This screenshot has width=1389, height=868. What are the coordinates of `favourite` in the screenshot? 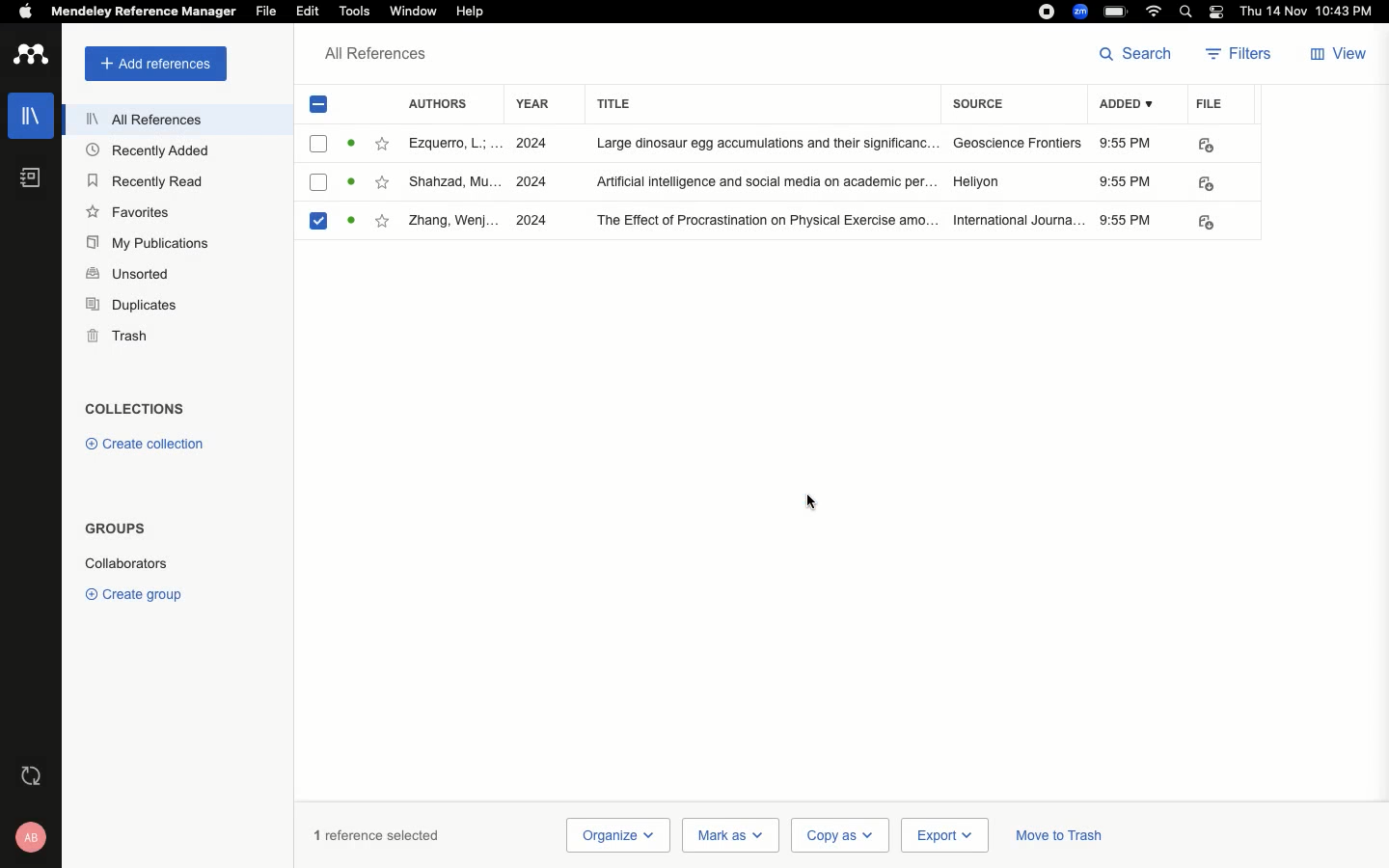 It's located at (384, 181).